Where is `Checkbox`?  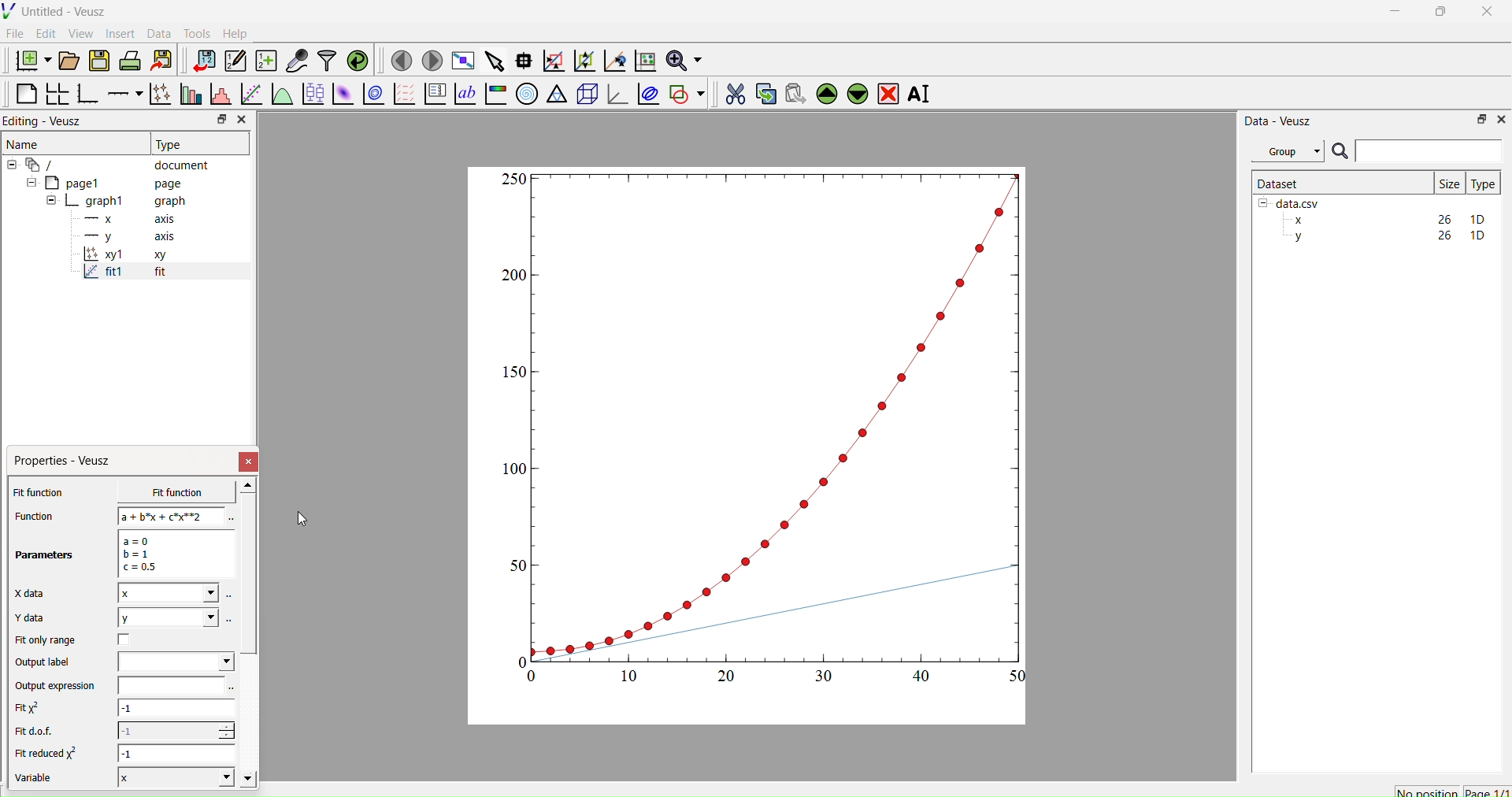
Checkbox is located at coordinates (128, 639).